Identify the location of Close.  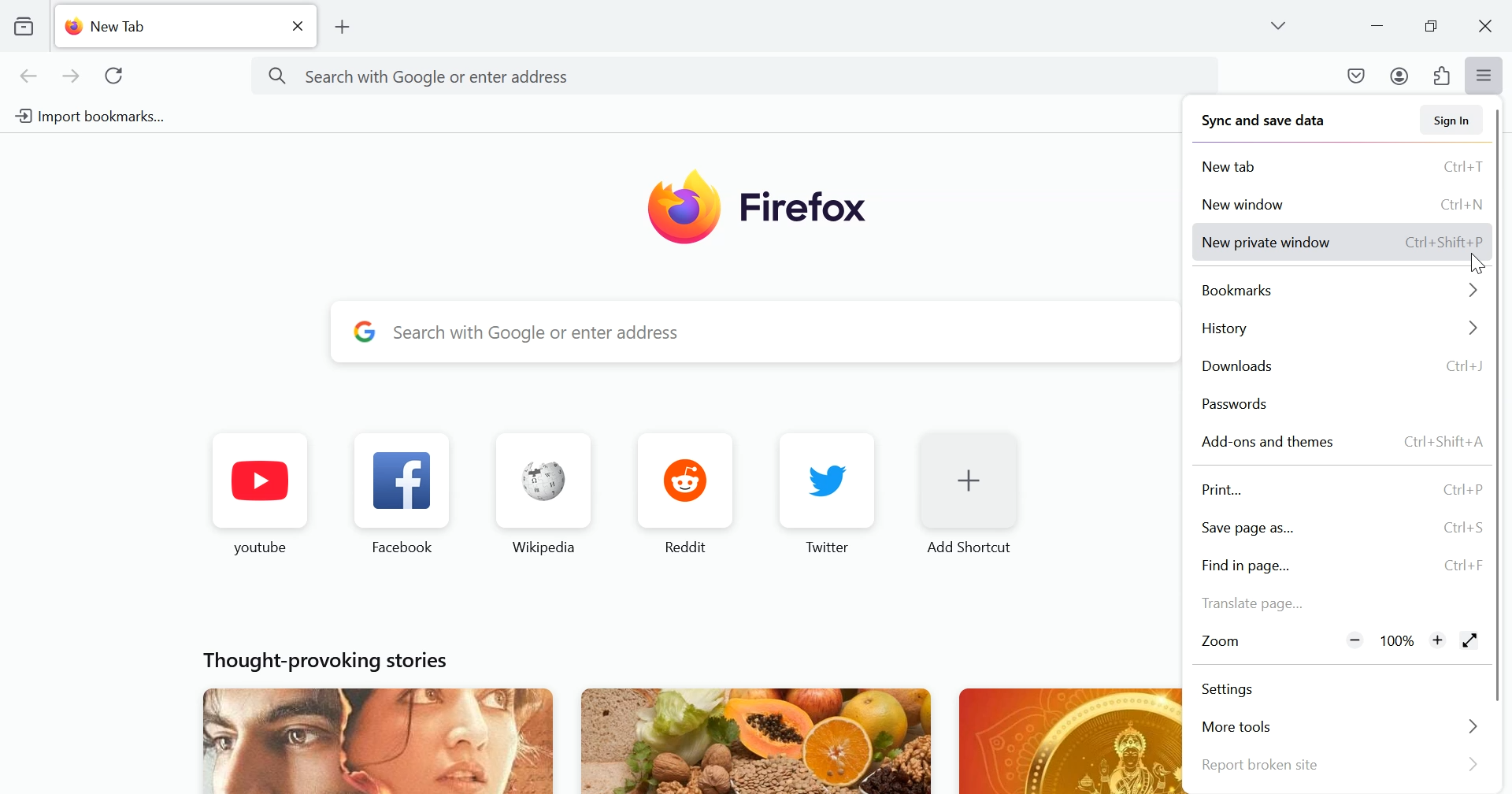
(1484, 24).